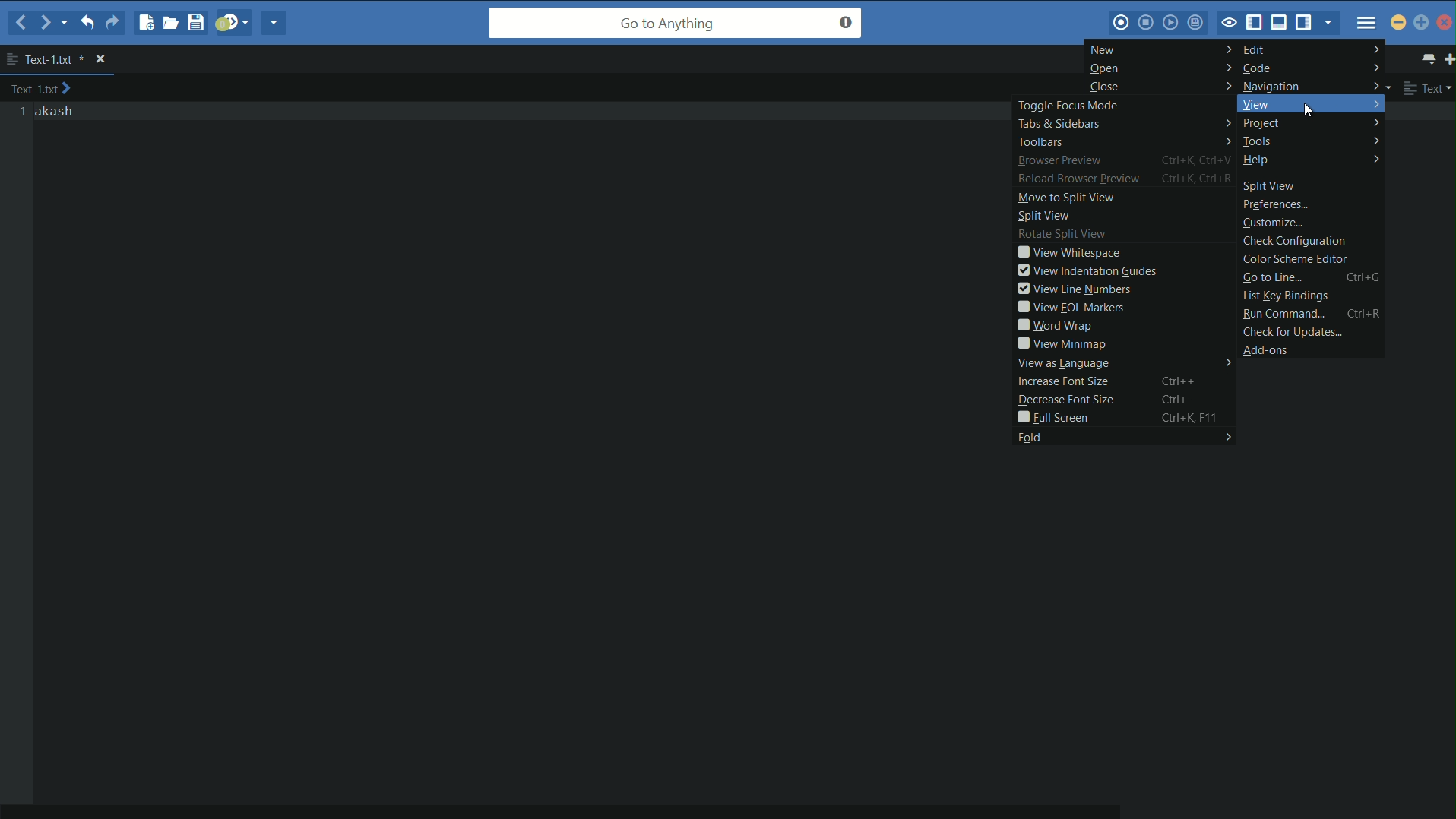 The width and height of the screenshot is (1456, 819). What do you see at coordinates (1125, 381) in the screenshot?
I see `increase font size` at bounding box center [1125, 381].